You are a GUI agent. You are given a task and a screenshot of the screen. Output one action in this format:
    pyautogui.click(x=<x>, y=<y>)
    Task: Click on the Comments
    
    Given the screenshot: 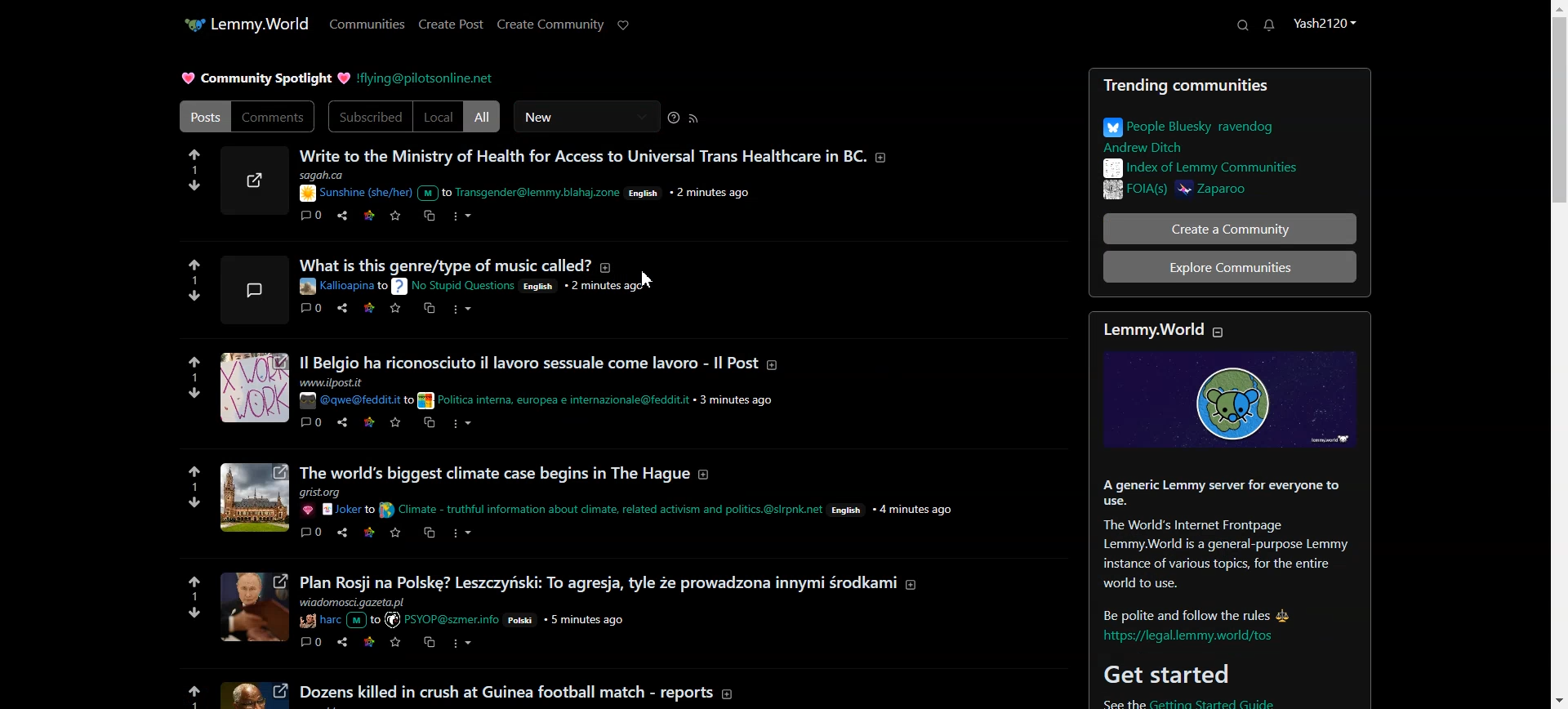 What is the action you would take?
    pyautogui.click(x=274, y=117)
    